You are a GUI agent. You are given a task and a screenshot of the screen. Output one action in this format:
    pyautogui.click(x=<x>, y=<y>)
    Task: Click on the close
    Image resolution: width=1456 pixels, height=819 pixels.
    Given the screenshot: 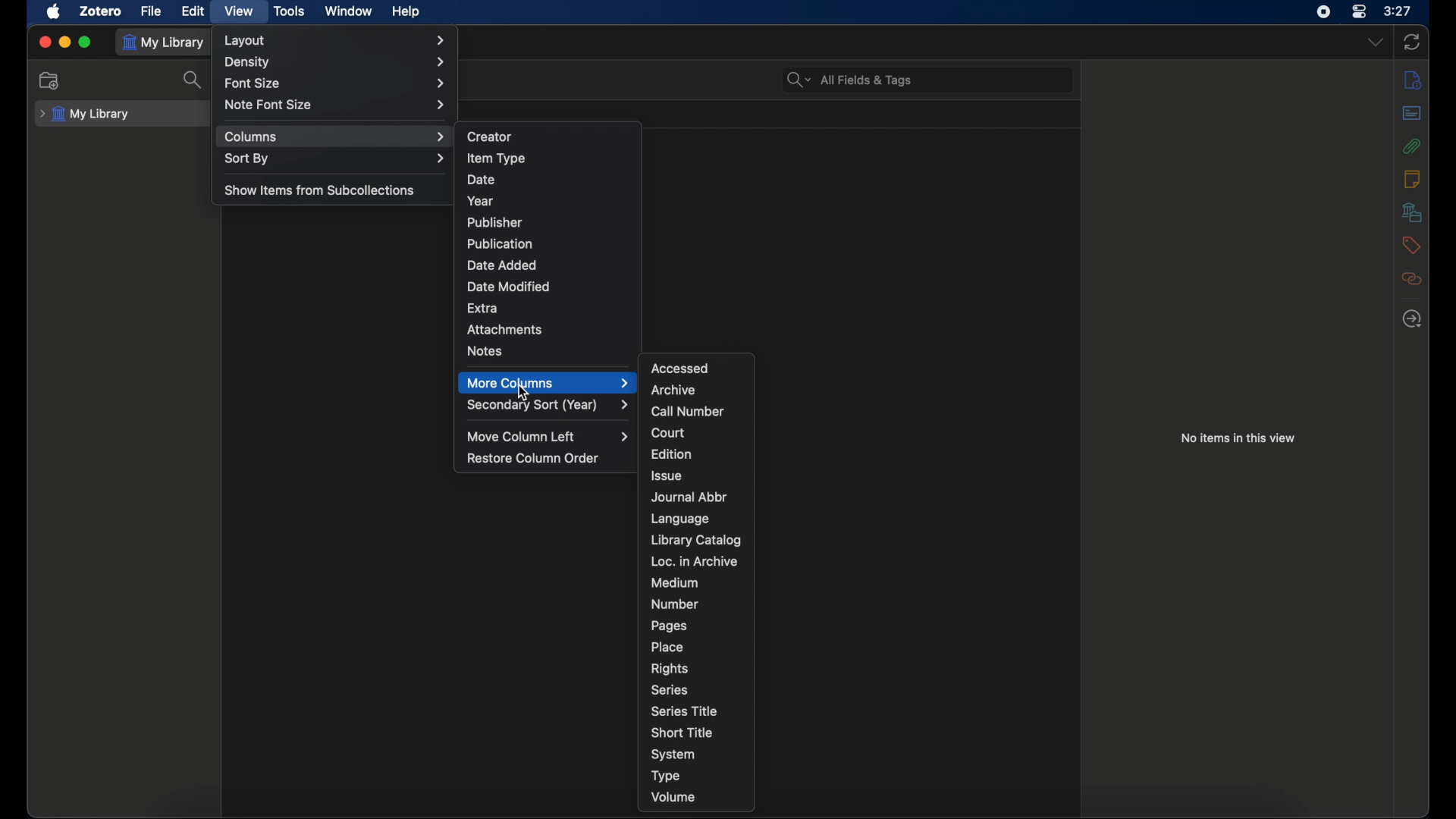 What is the action you would take?
    pyautogui.click(x=44, y=42)
    